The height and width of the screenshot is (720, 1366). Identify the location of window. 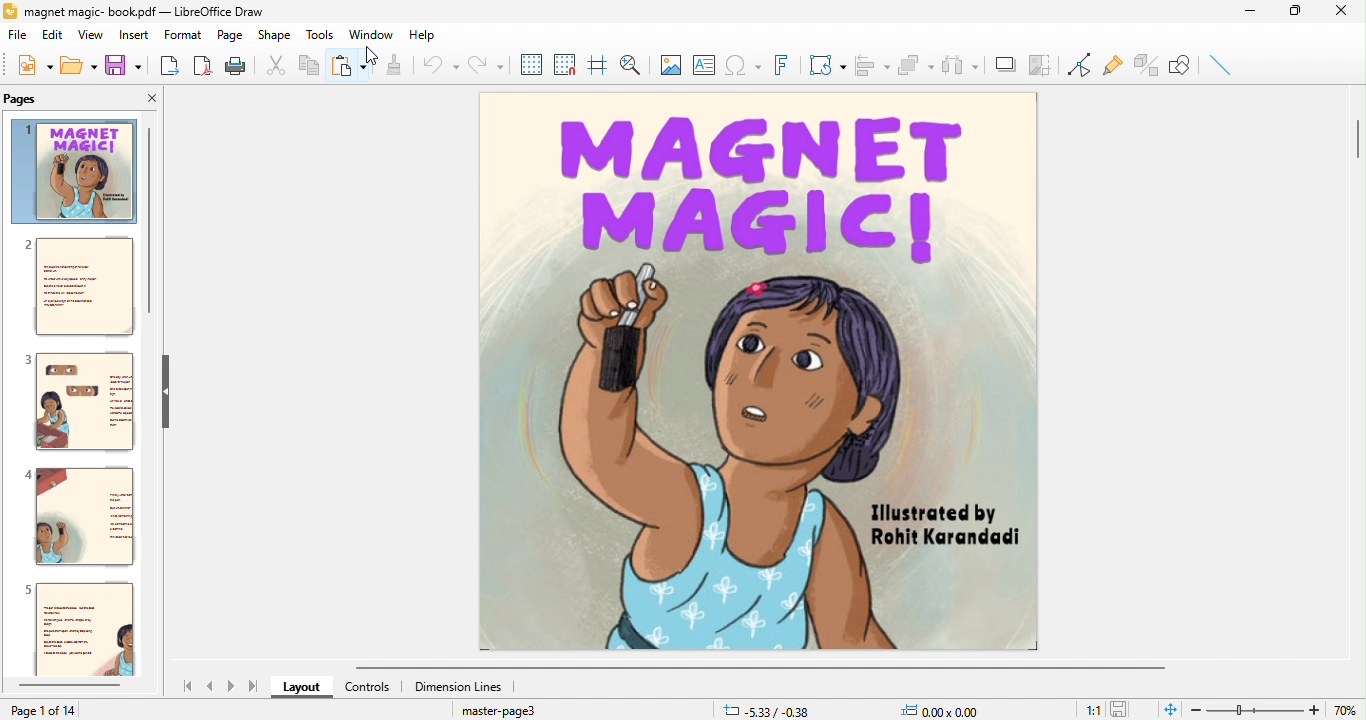
(371, 35).